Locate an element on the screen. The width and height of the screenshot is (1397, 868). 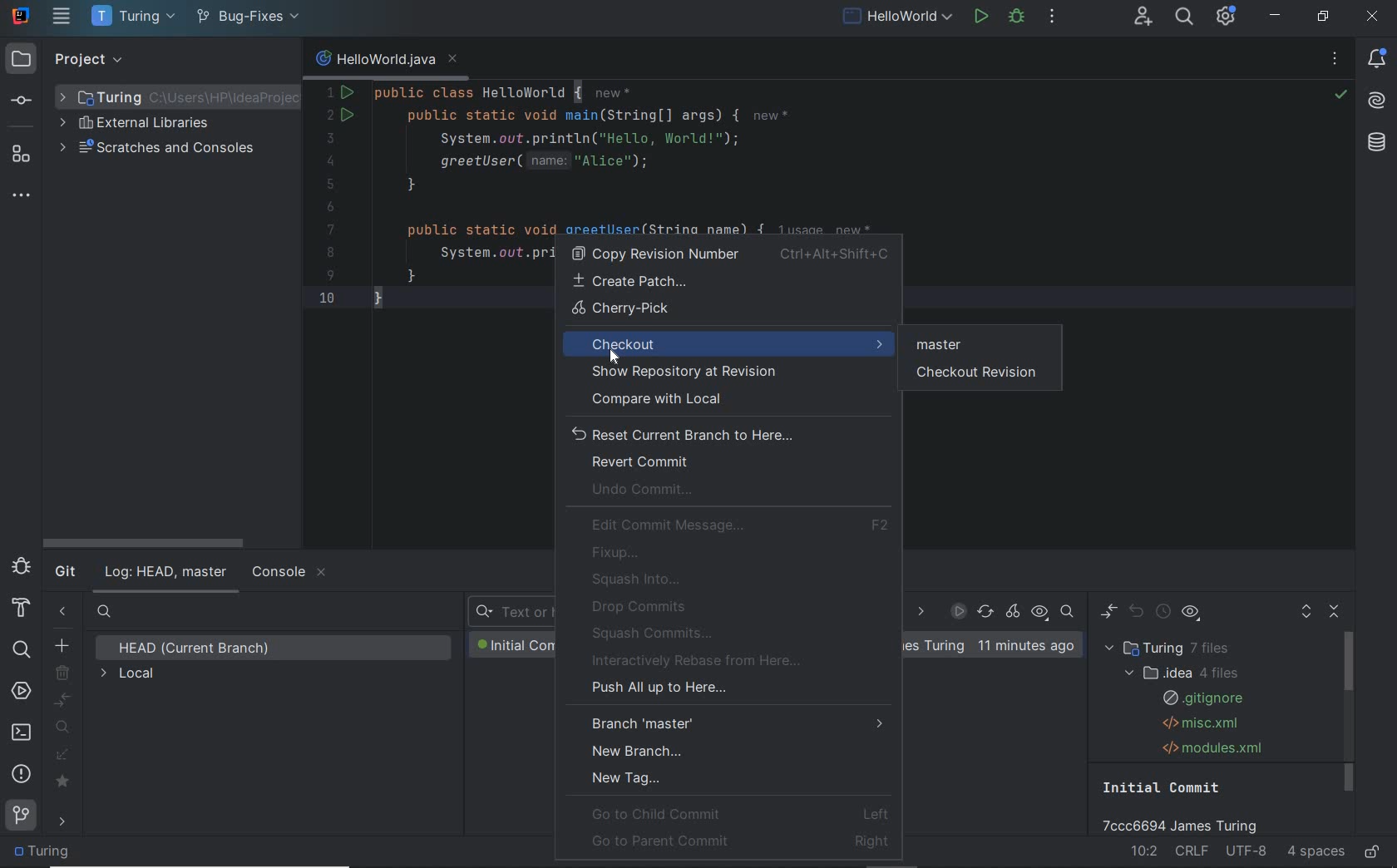
master is located at coordinates (941, 344).